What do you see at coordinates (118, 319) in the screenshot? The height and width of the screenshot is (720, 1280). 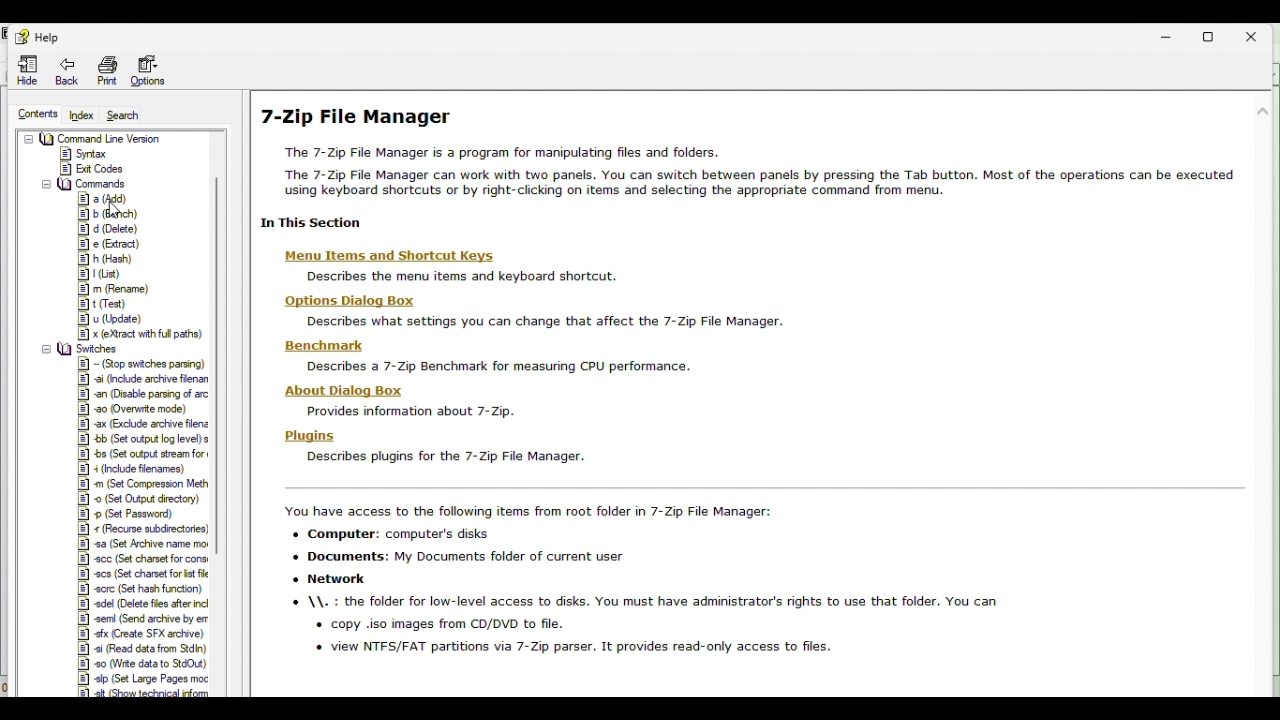 I see `u` at bounding box center [118, 319].